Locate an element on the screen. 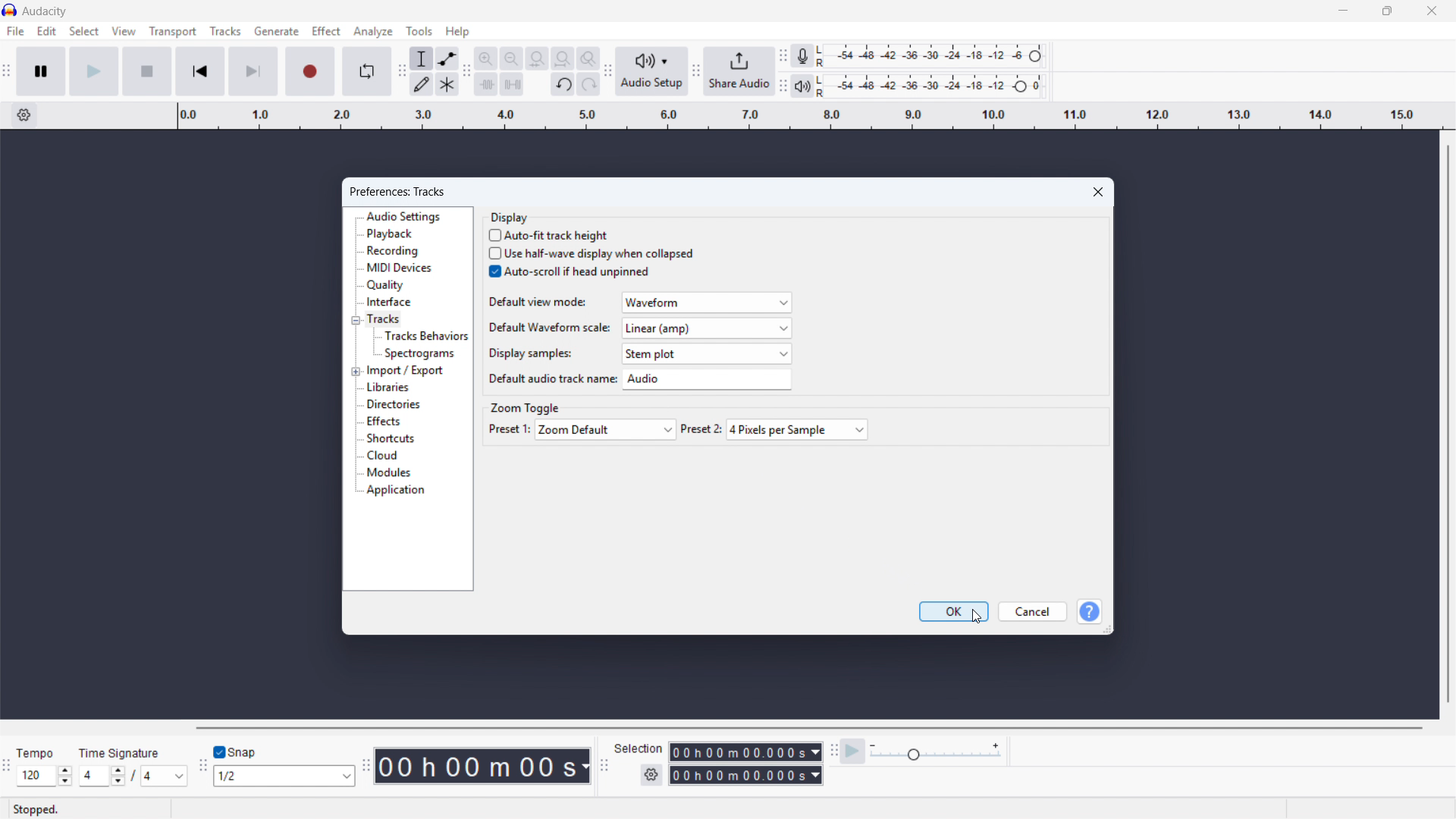  playback level is located at coordinates (935, 85).